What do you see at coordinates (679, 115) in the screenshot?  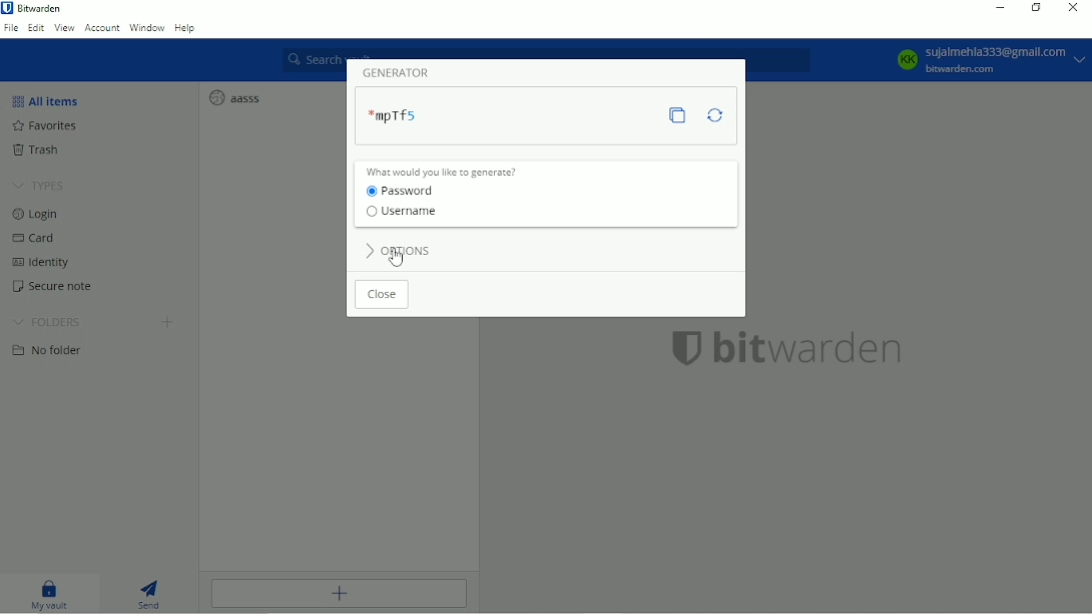 I see `Copy password` at bounding box center [679, 115].